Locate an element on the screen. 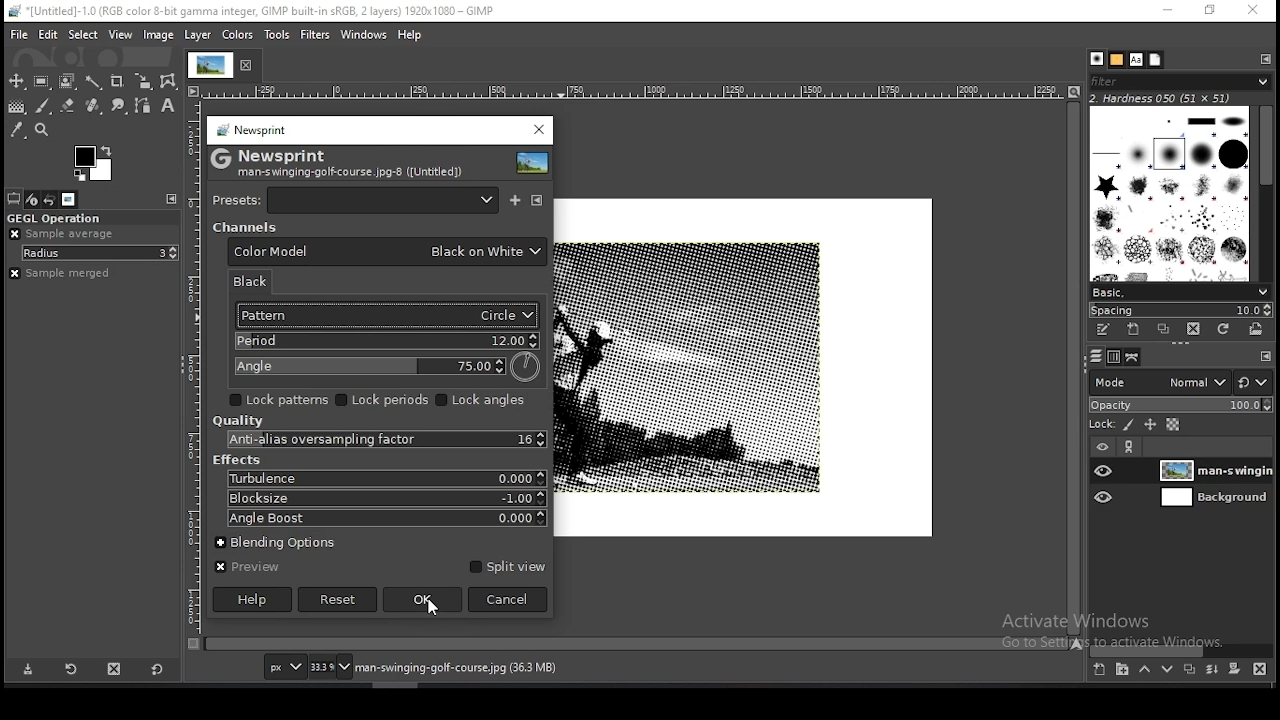 Image resolution: width=1280 pixels, height=720 pixels. GEGL operation is located at coordinates (58, 217).